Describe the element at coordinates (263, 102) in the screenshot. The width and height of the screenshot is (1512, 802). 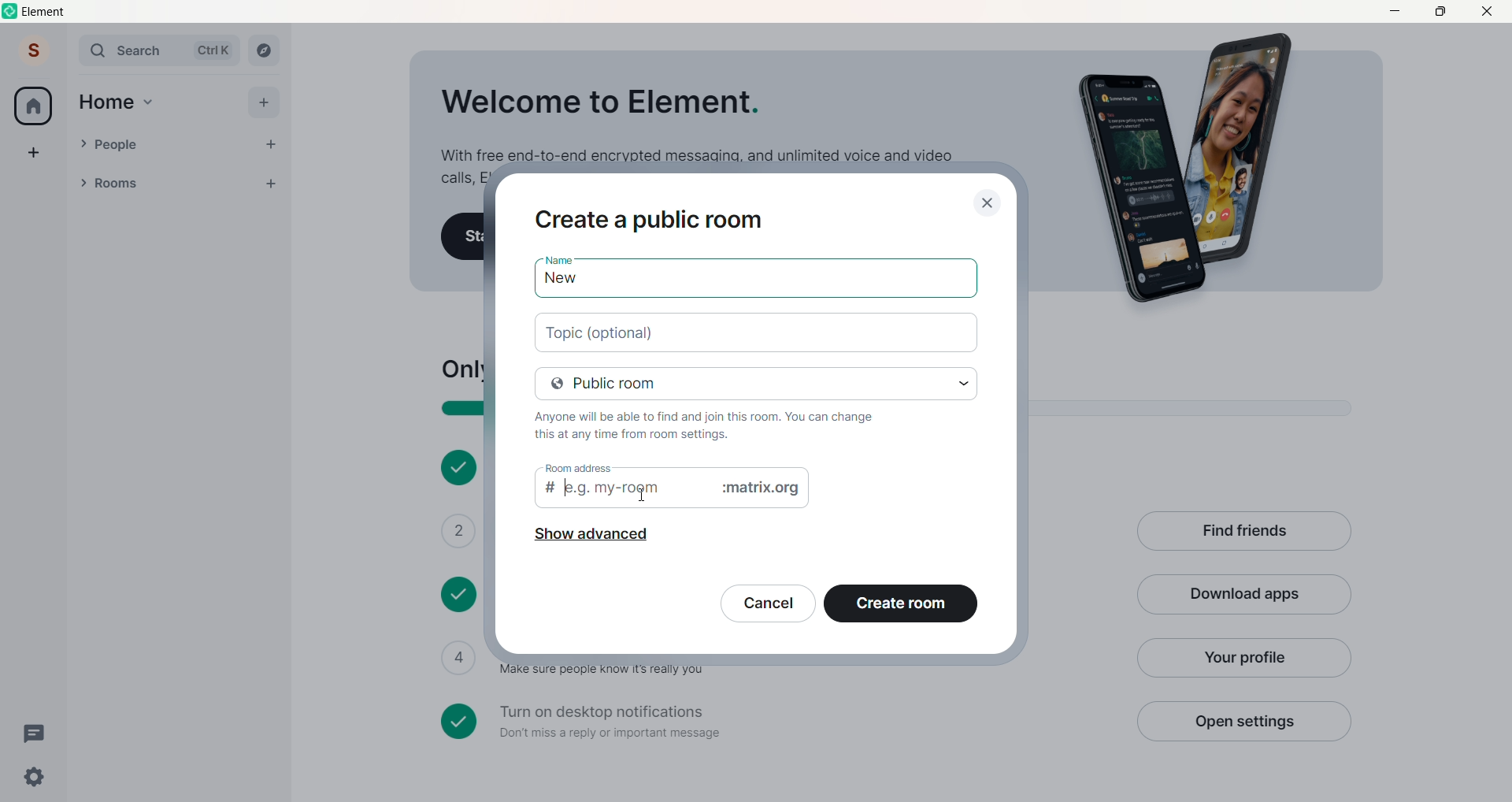
I see `Add` at that location.